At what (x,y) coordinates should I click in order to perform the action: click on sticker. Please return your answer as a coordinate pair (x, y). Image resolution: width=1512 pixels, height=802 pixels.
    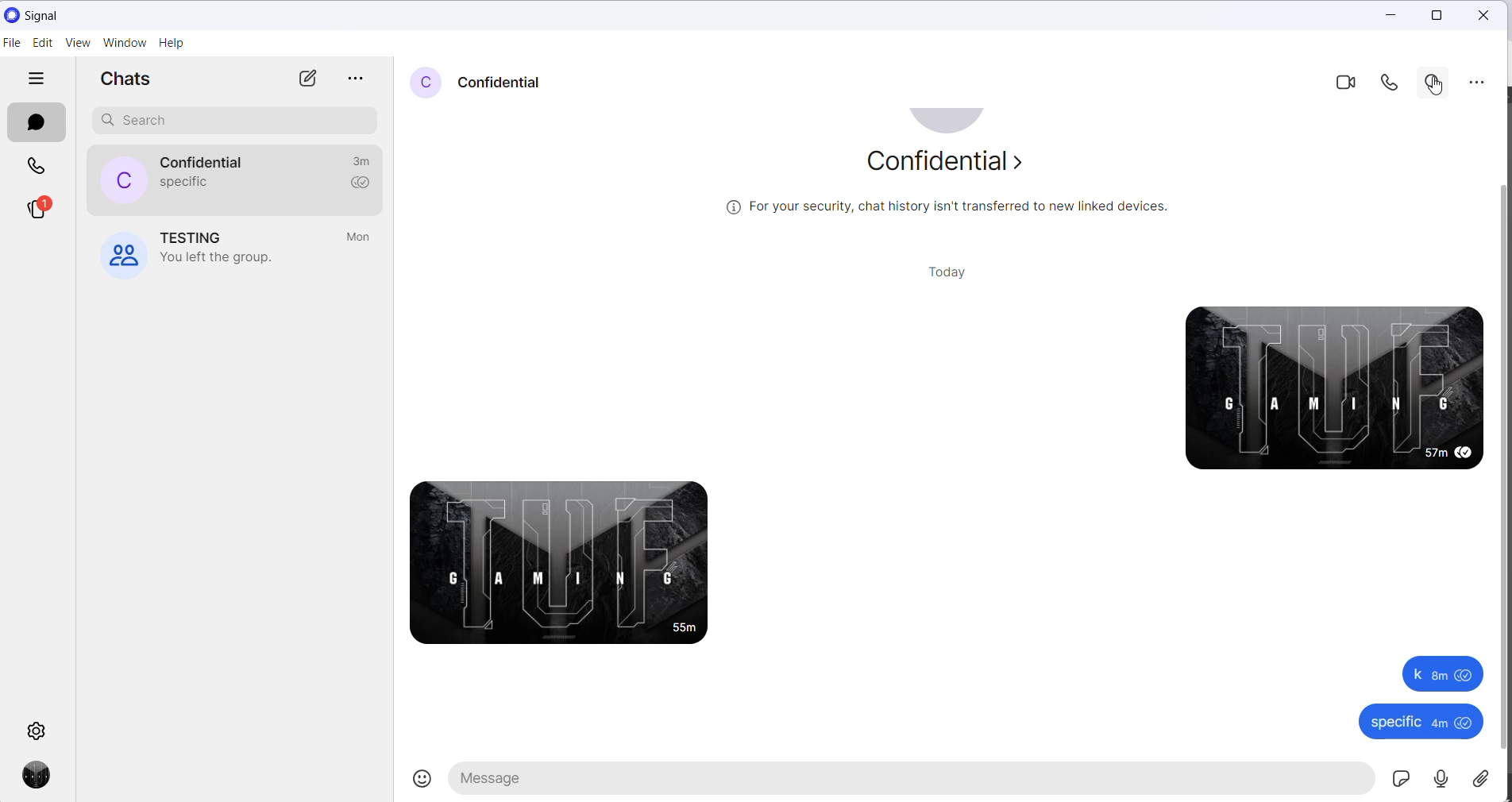
    Looking at the image, I should click on (1398, 782).